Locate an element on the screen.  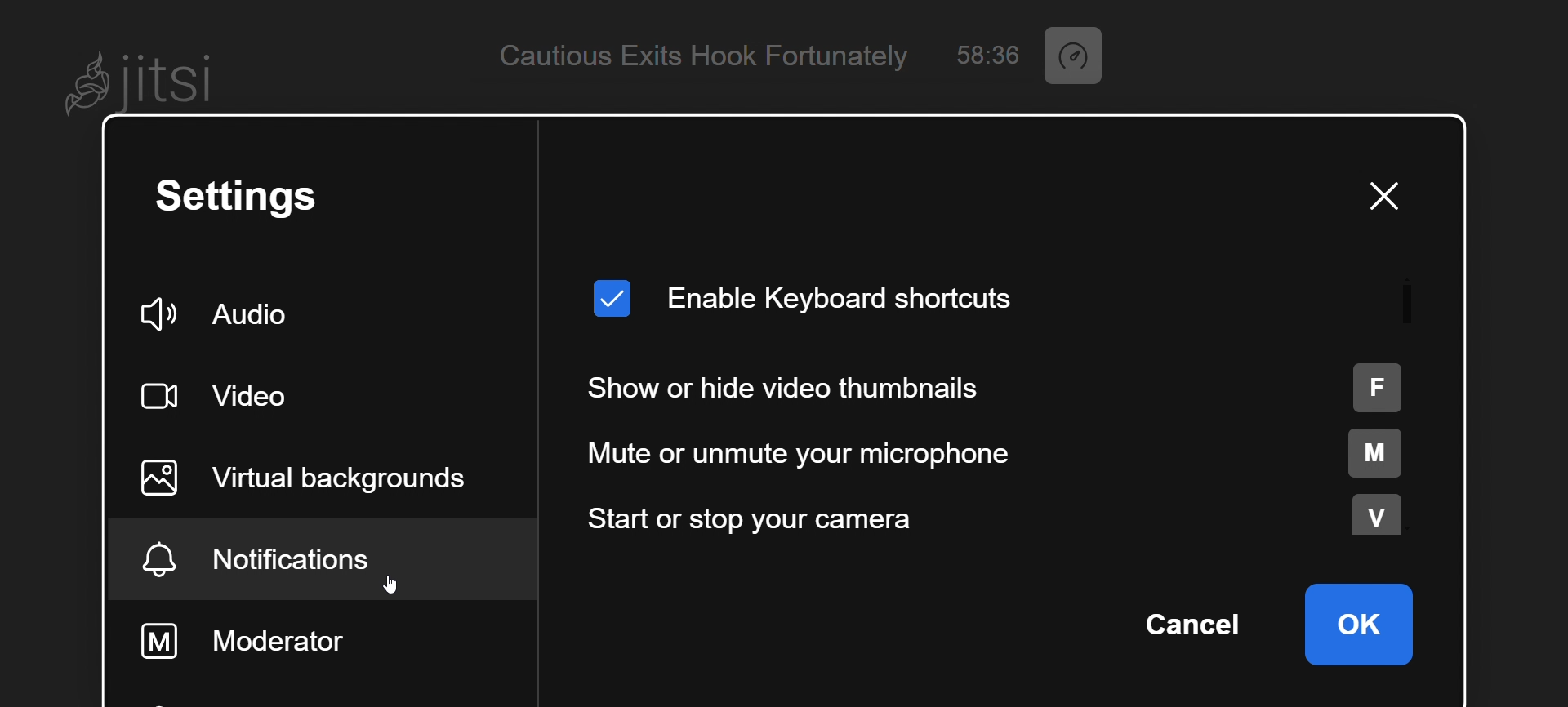
cancel is located at coordinates (1192, 620).